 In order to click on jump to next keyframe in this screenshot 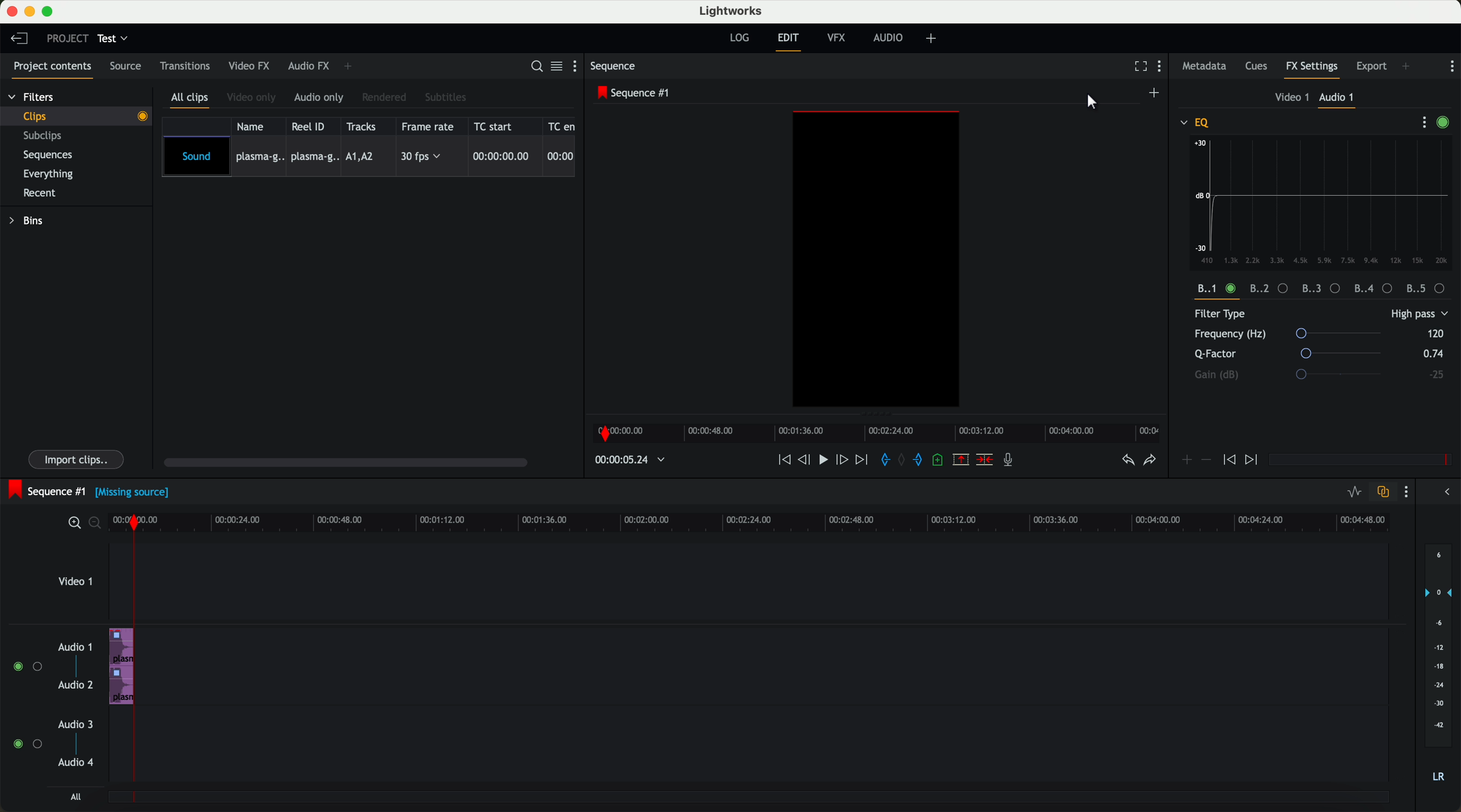, I will do `click(1253, 460)`.